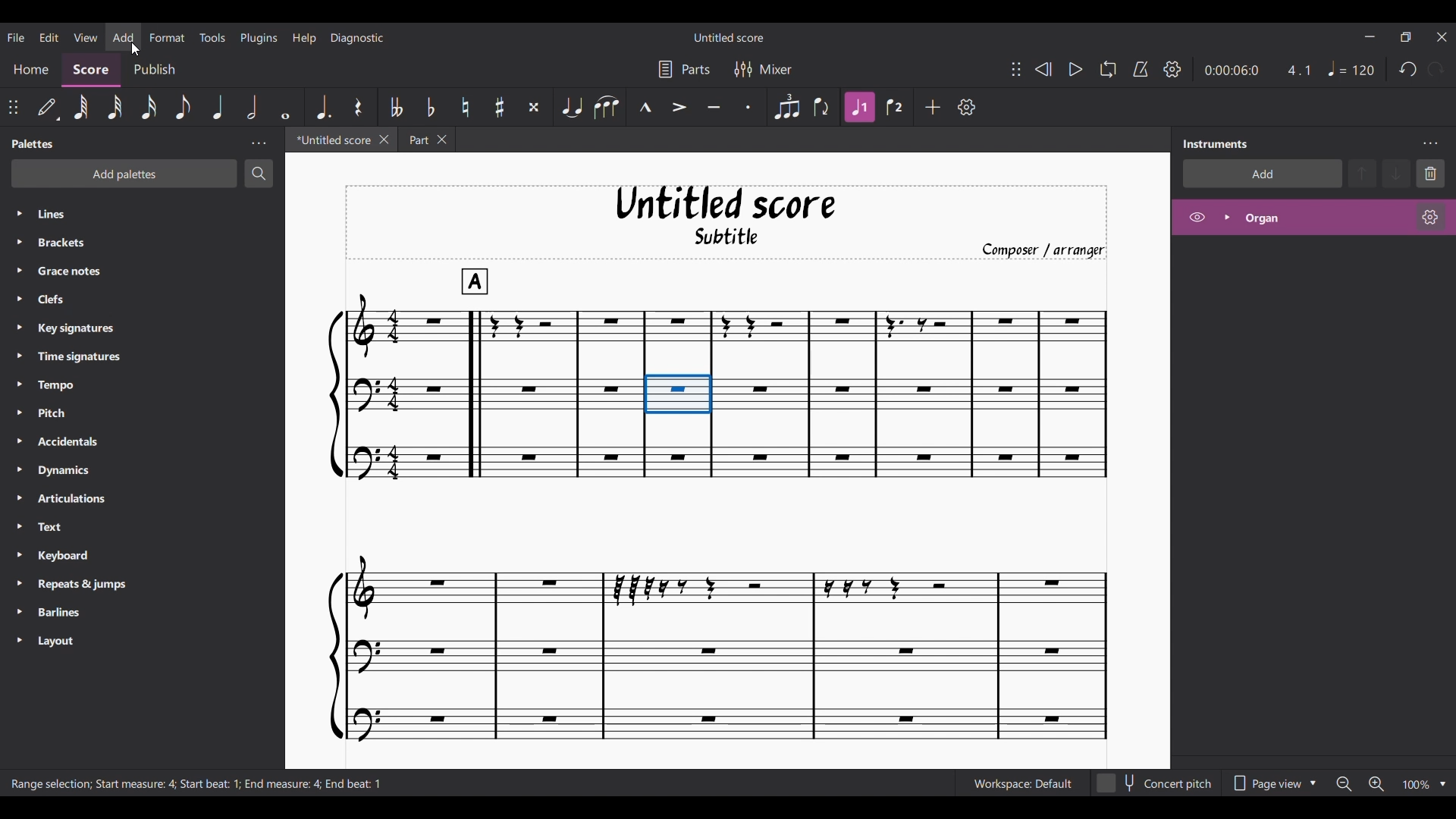  What do you see at coordinates (304, 38) in the screenshot?
I see `Help menu` at bounding box center [304, 38].